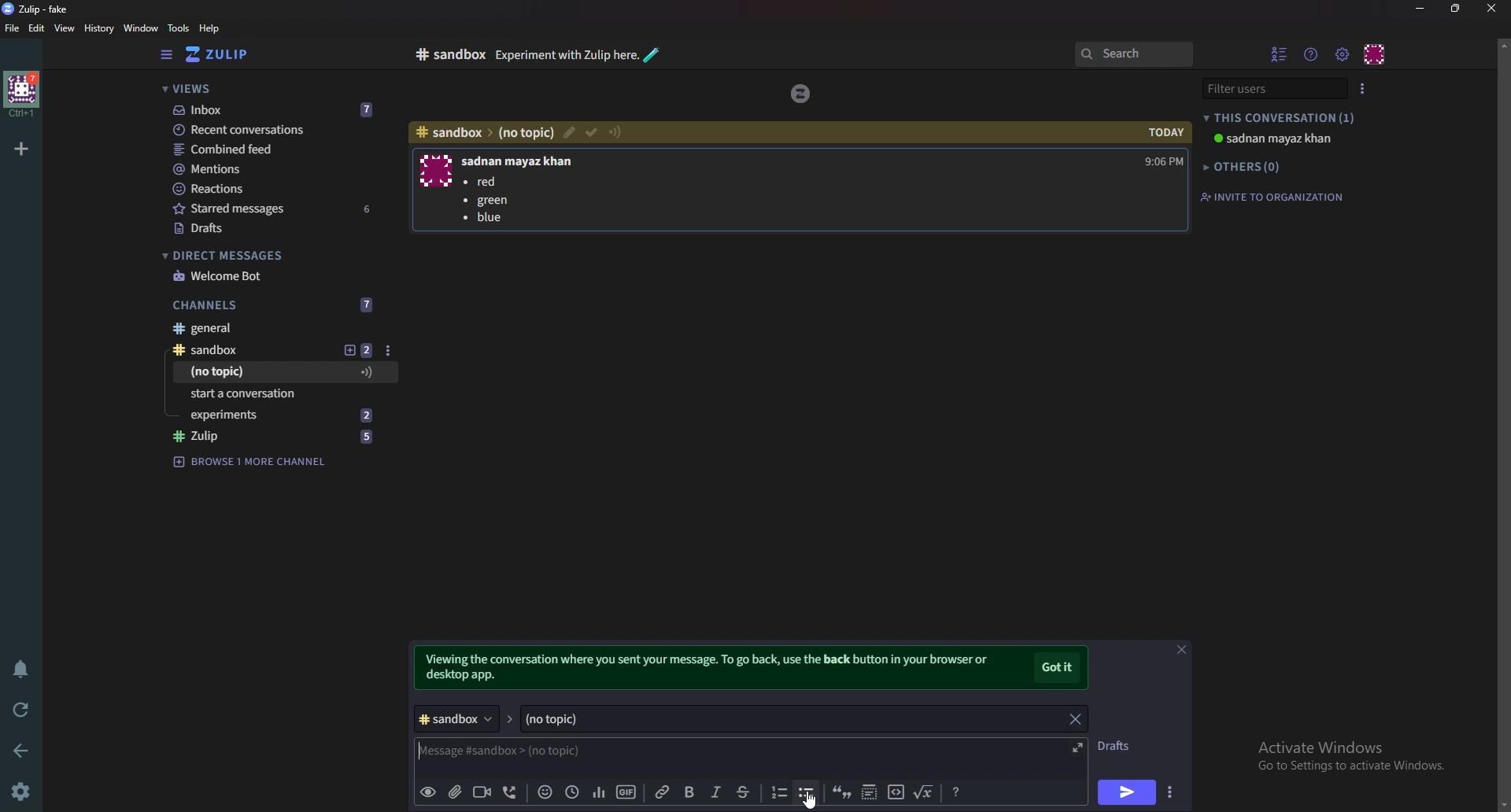  What do you see at coordinates (248, 351) in the screenshot?
I see `sandbox` at bounding box center [248, 351].